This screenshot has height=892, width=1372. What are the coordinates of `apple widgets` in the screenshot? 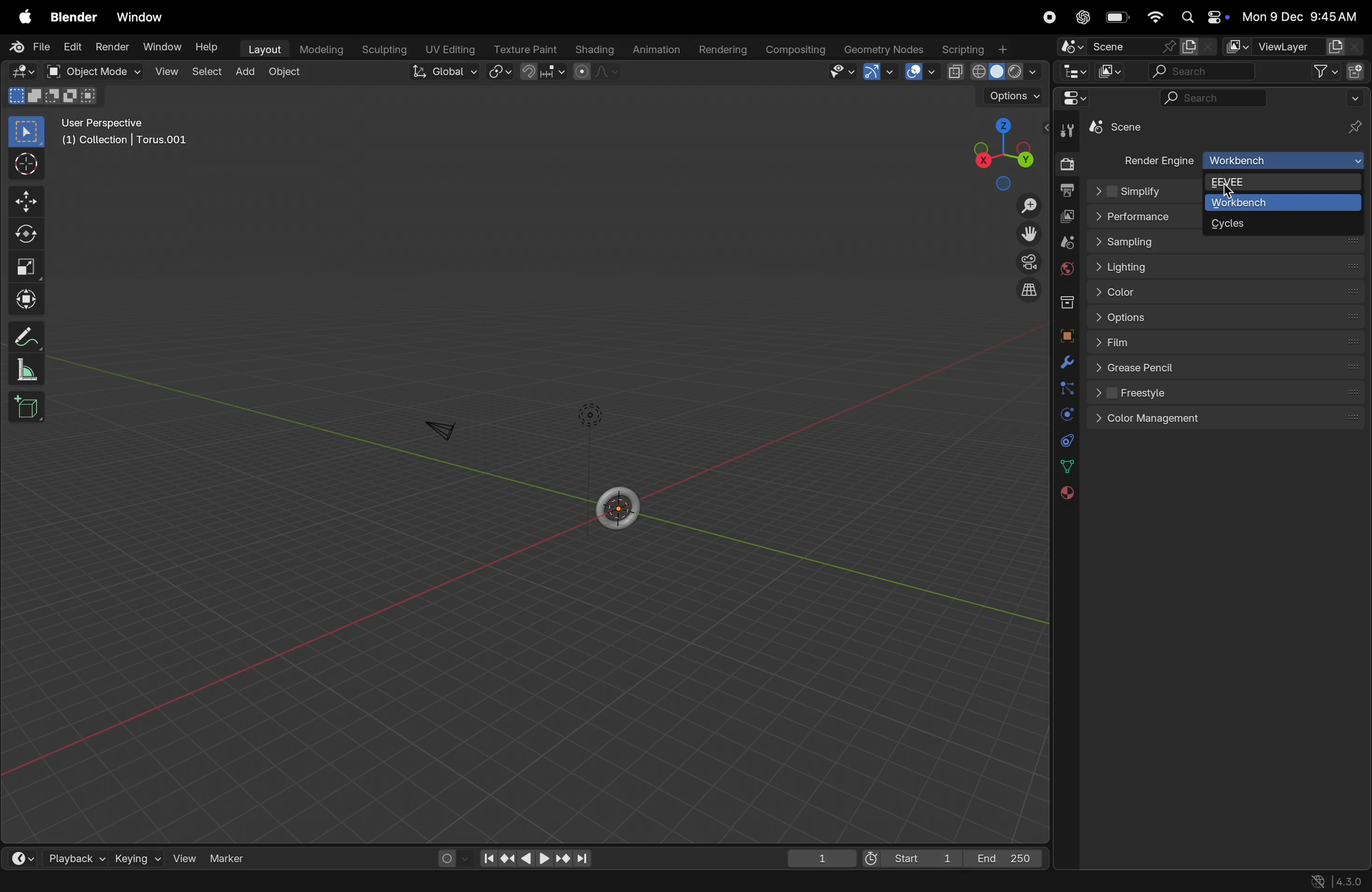 It's located at (1204, 16).